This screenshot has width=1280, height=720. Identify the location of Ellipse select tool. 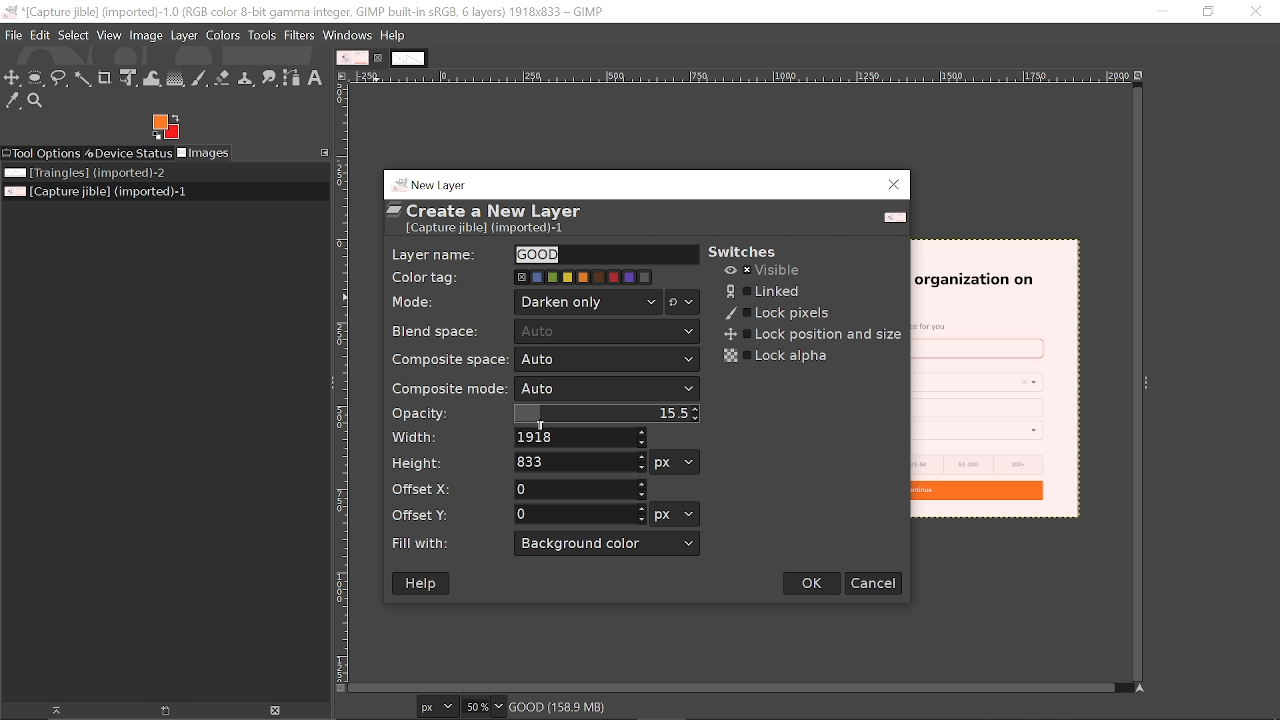
(36, 79).